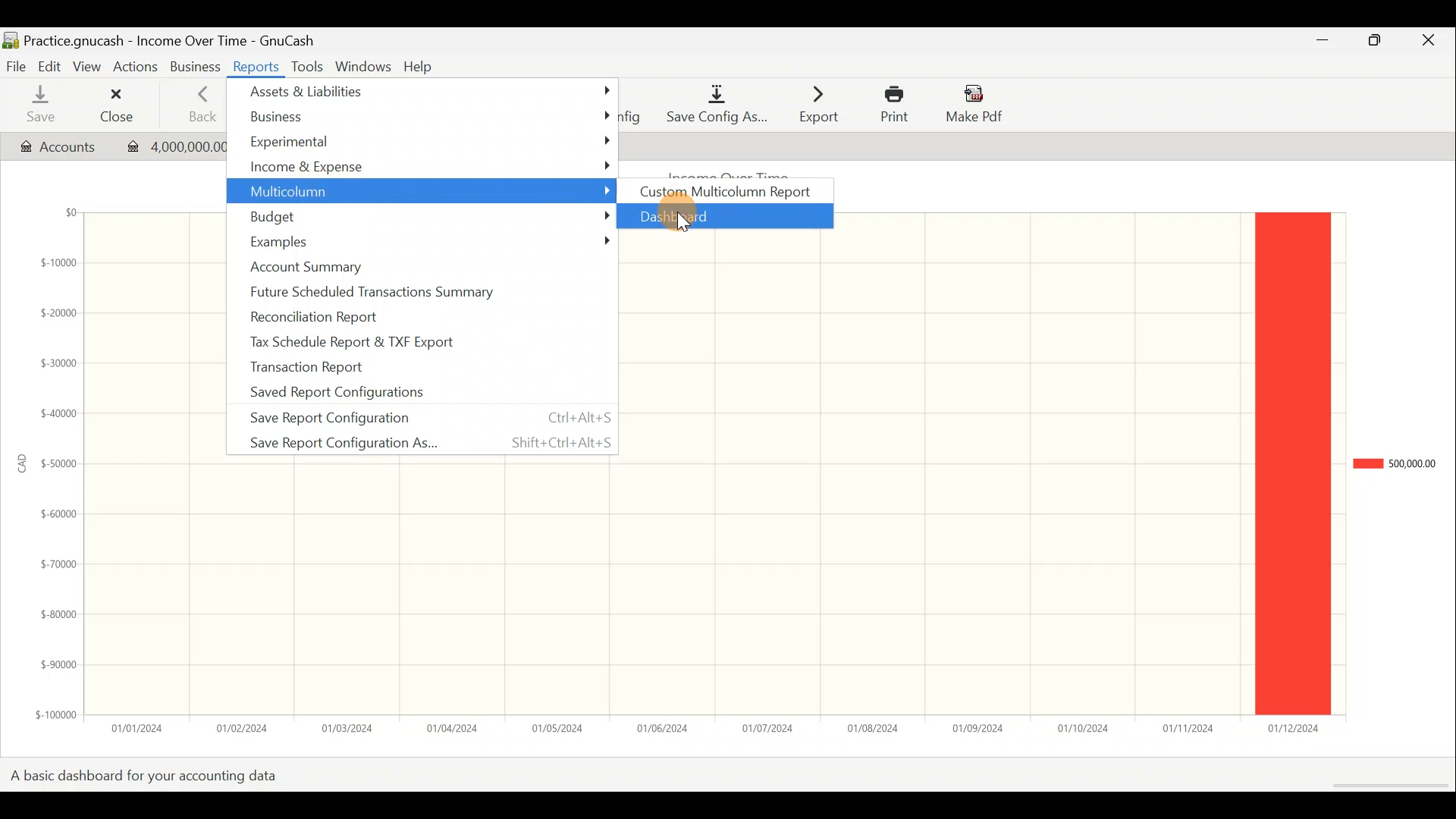 The height and width of the screenshot is (819, 1456). I want to click on Budget, so click(426, 217).